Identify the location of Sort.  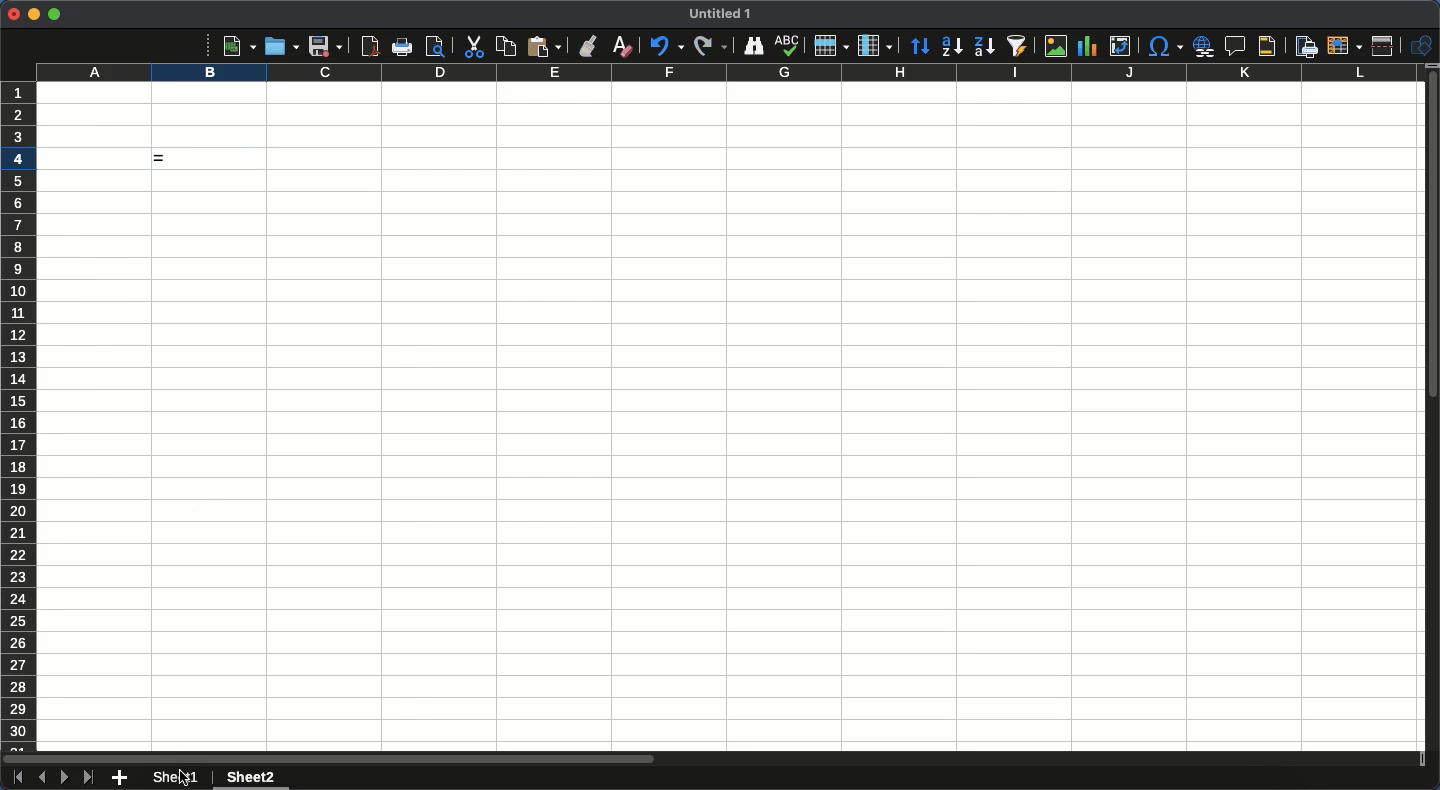
(921, 48).